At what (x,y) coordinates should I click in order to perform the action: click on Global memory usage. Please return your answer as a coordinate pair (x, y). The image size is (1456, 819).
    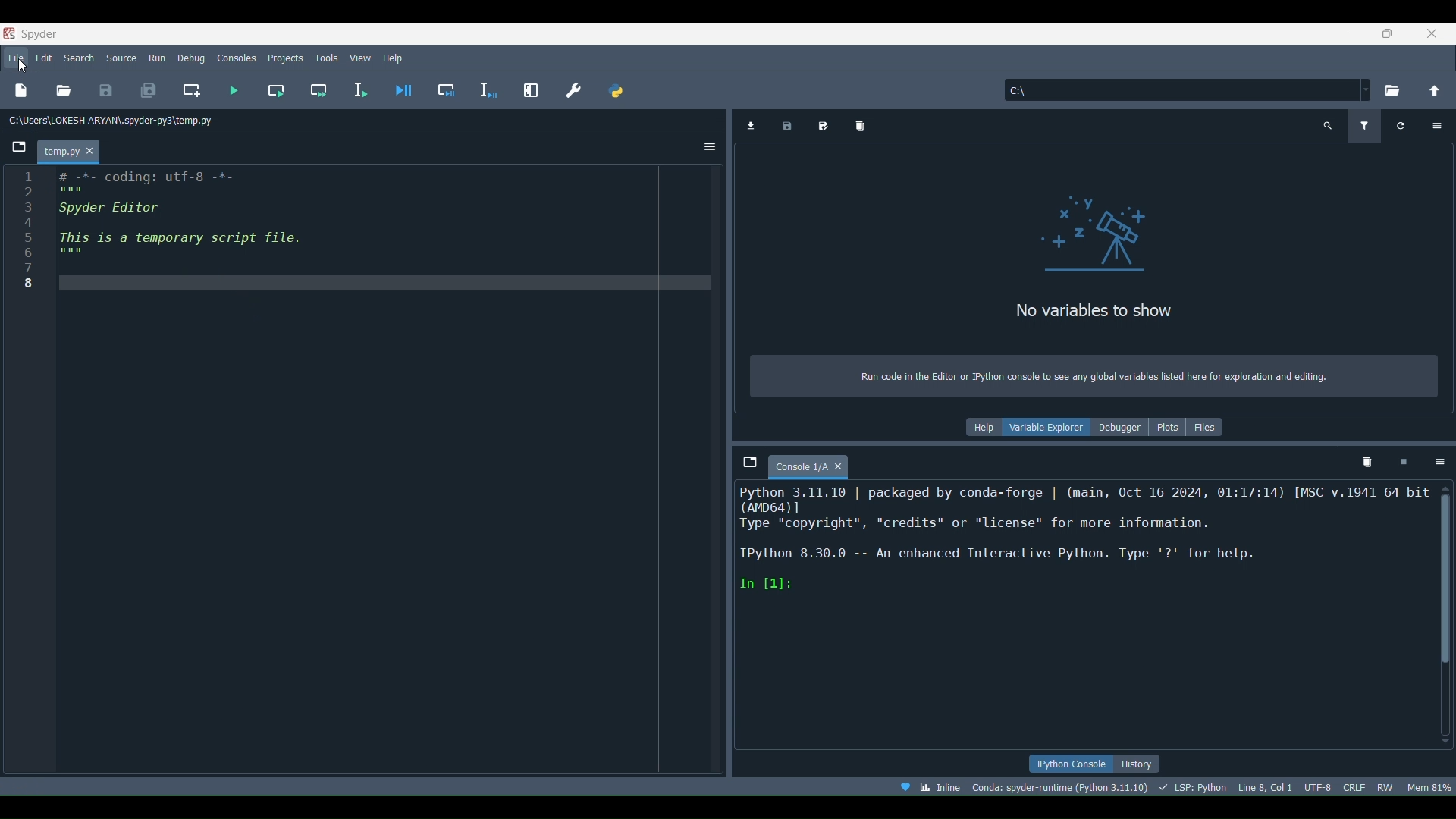
    Looking at the image, I should click on (1429, 787).